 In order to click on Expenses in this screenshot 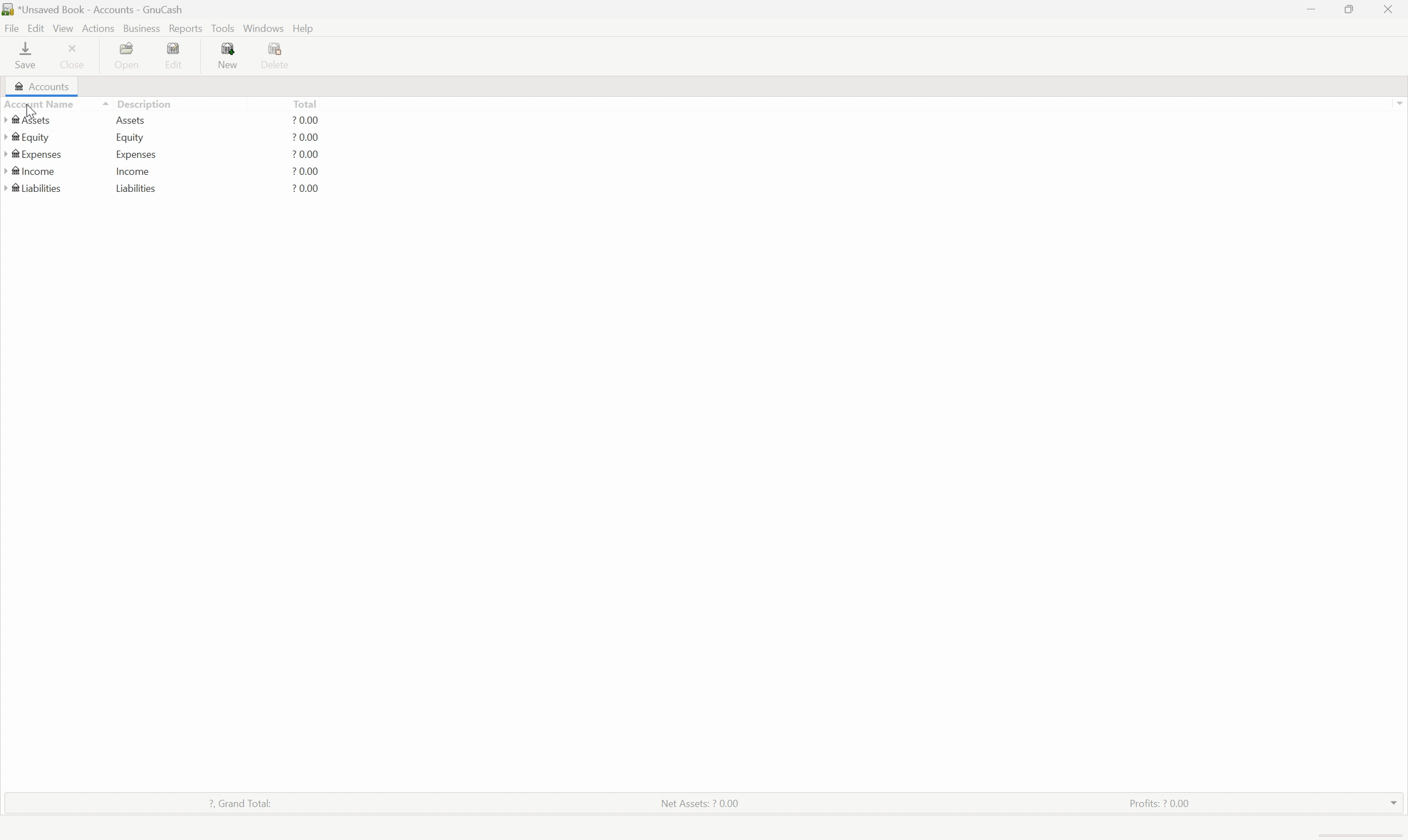, I will do `click(135, 154)`.